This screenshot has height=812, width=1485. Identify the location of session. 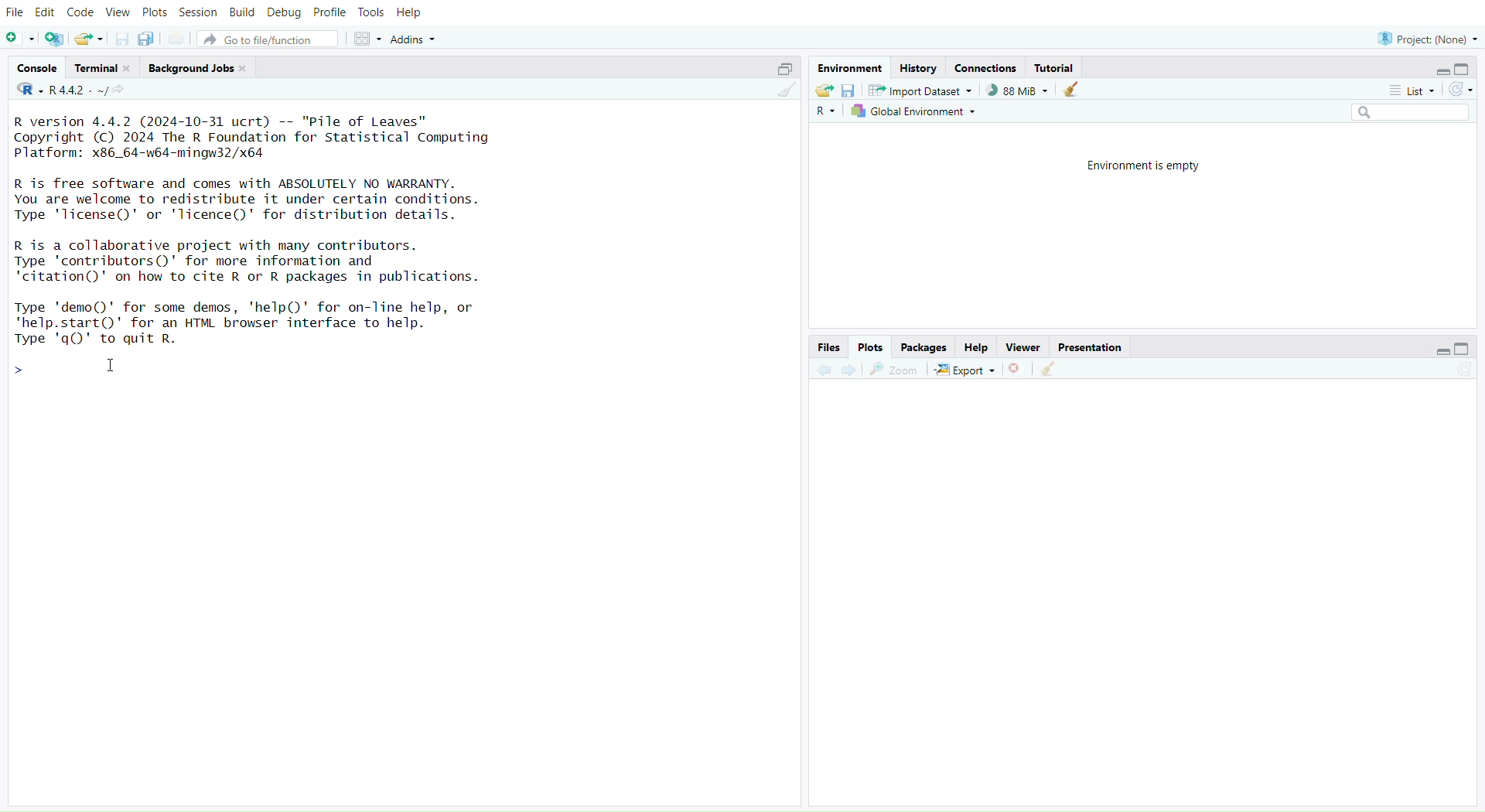
(198, 11).